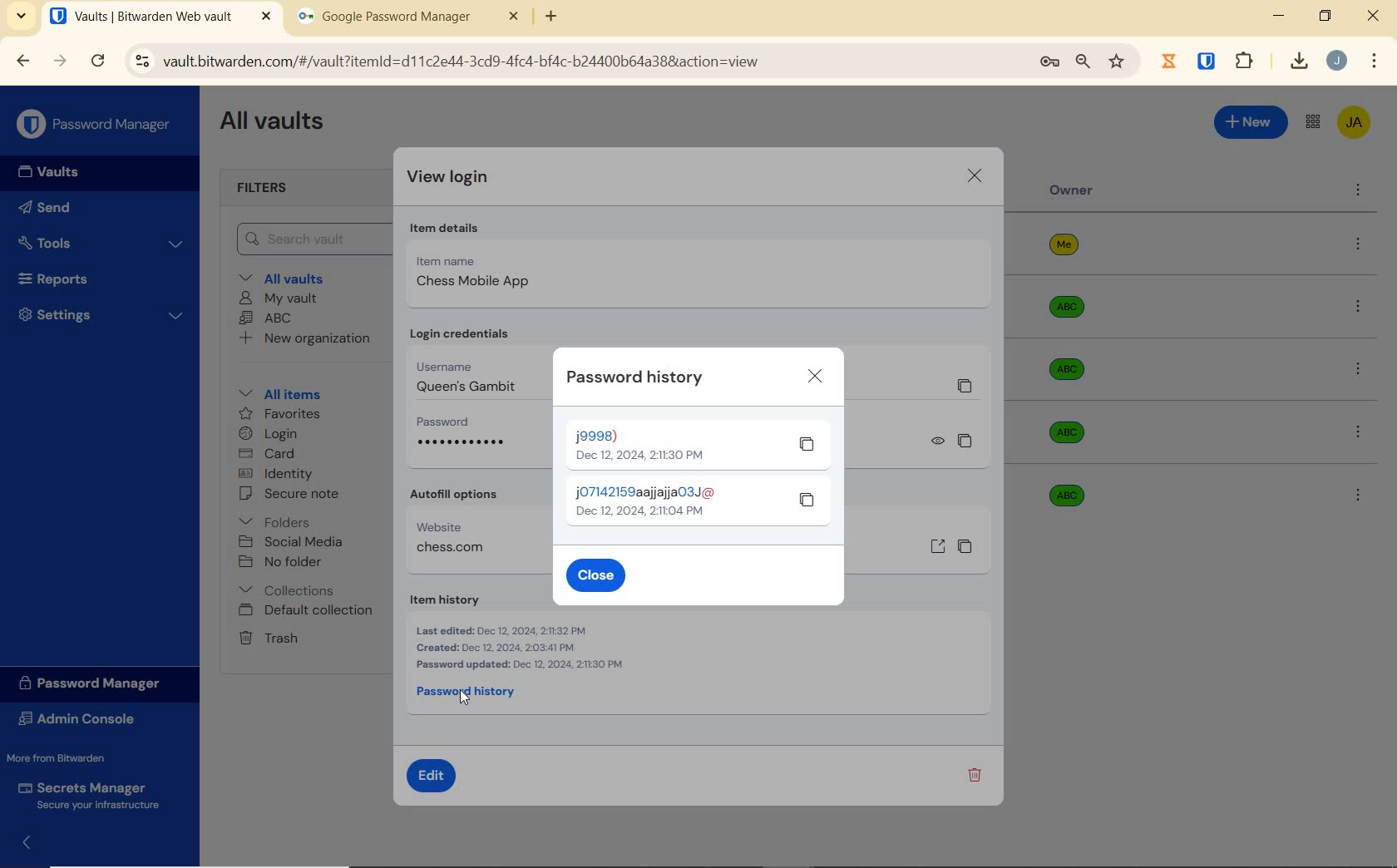 The height and width of the screenshot is (868, 1397). I want to click on trash, so click(270, 638).